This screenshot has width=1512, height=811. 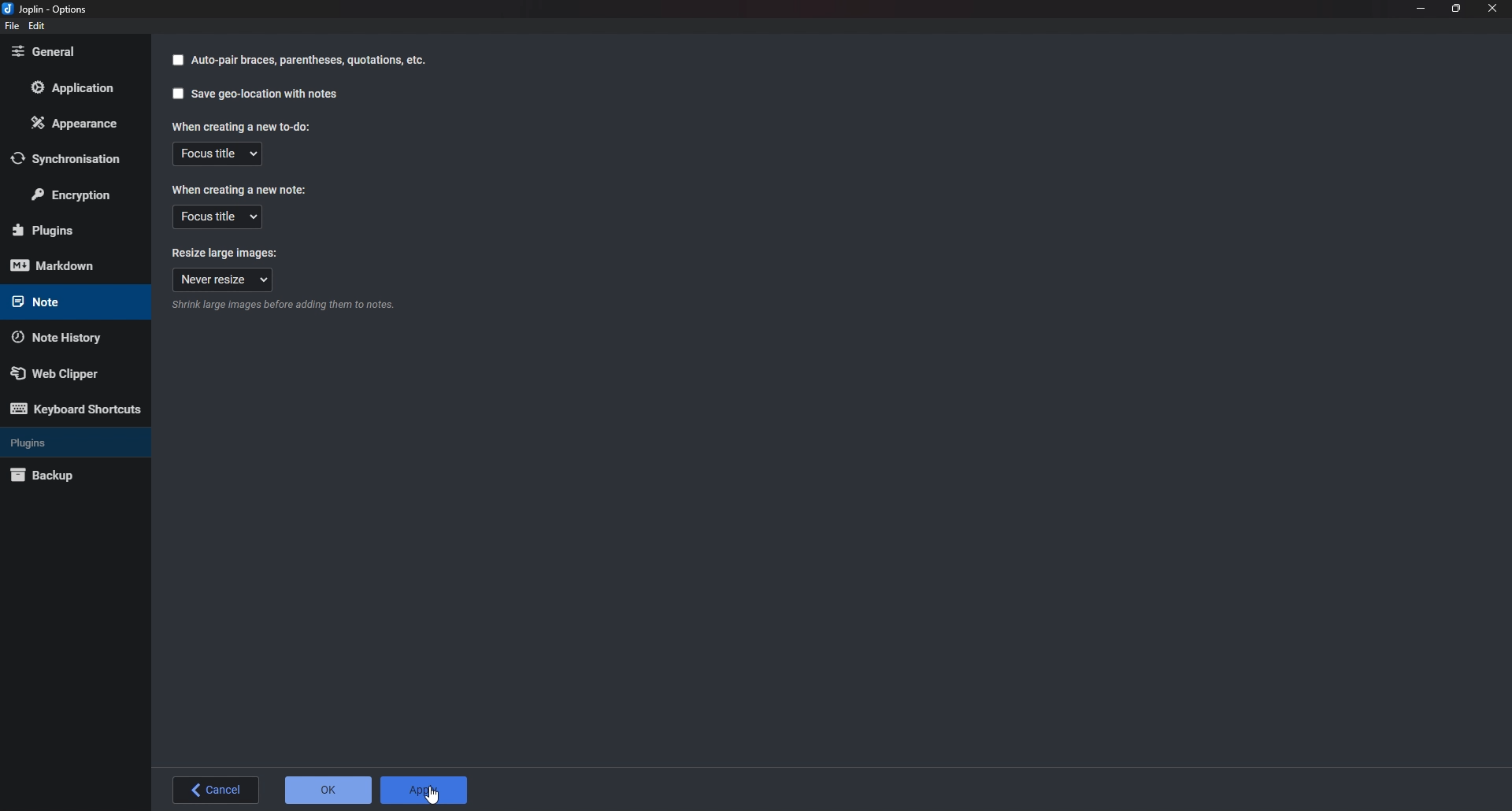 What do you see at coordinates (68, 302) in the screenshot?
I see `note` at bounding box center [68, 302].